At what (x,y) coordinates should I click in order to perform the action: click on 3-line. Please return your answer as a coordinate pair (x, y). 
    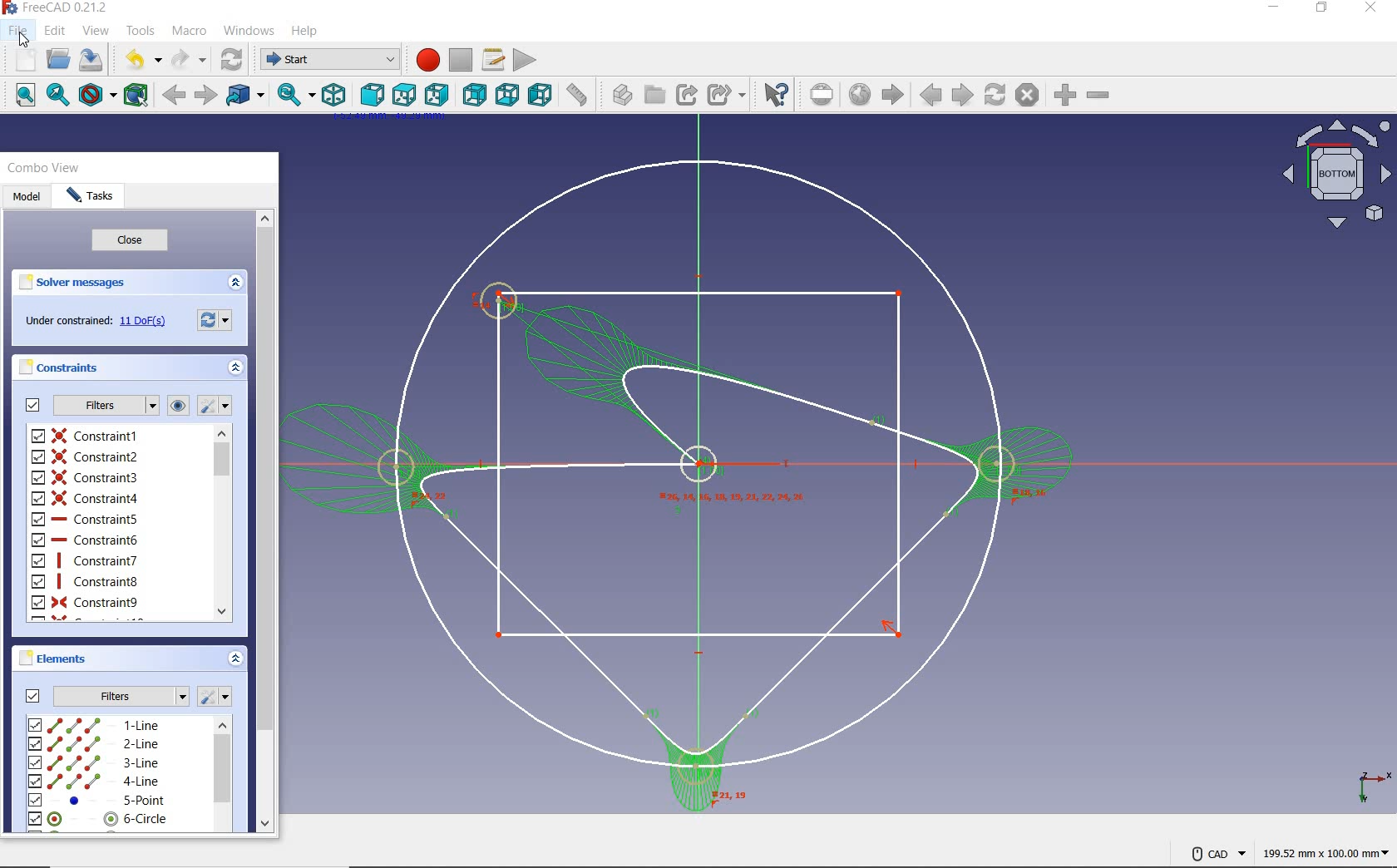
    Looking at the image, I should click on (94, 763).